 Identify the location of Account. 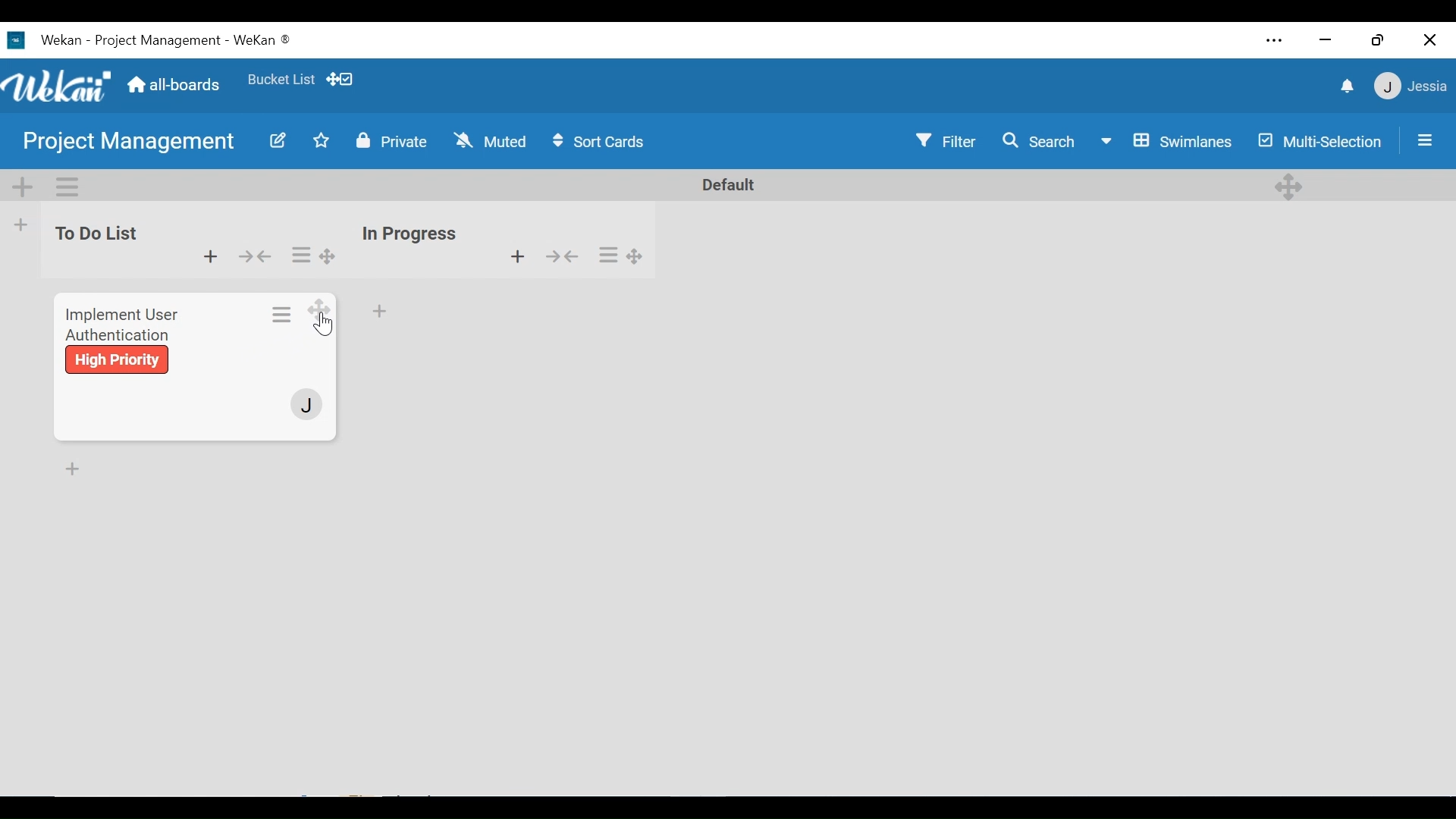
(306, 406).